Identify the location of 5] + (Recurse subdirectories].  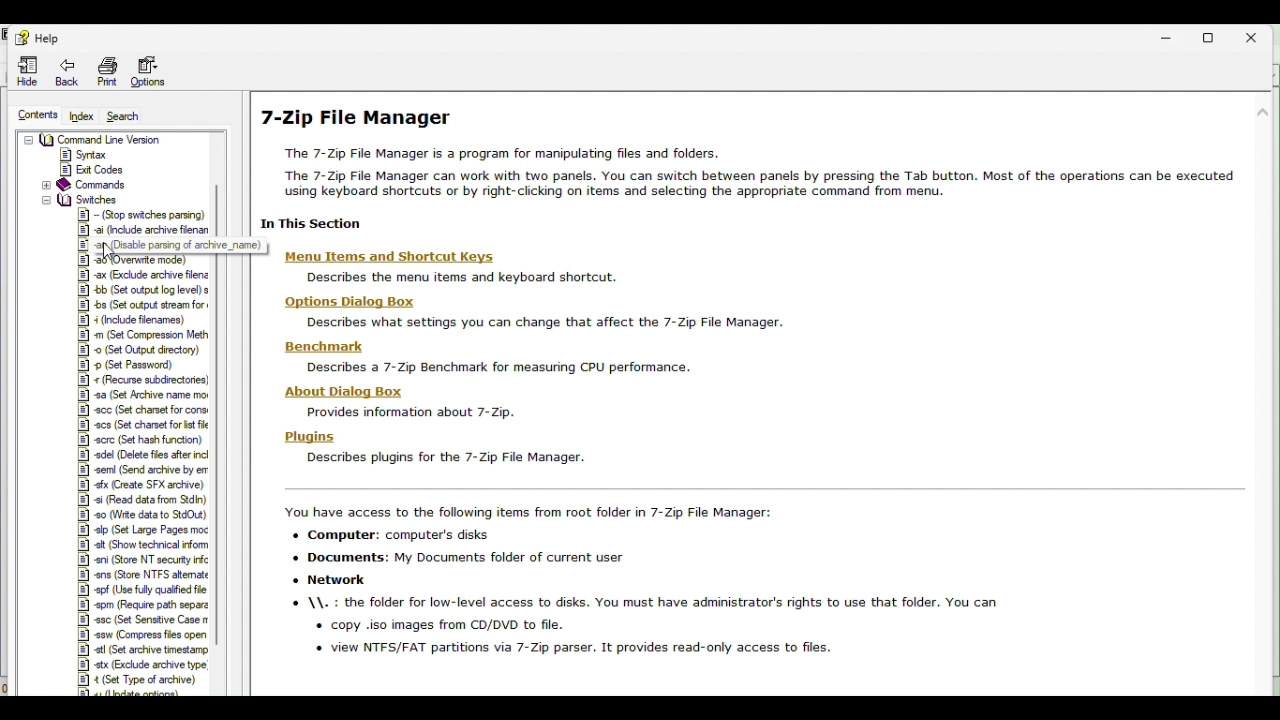
(142, 382).